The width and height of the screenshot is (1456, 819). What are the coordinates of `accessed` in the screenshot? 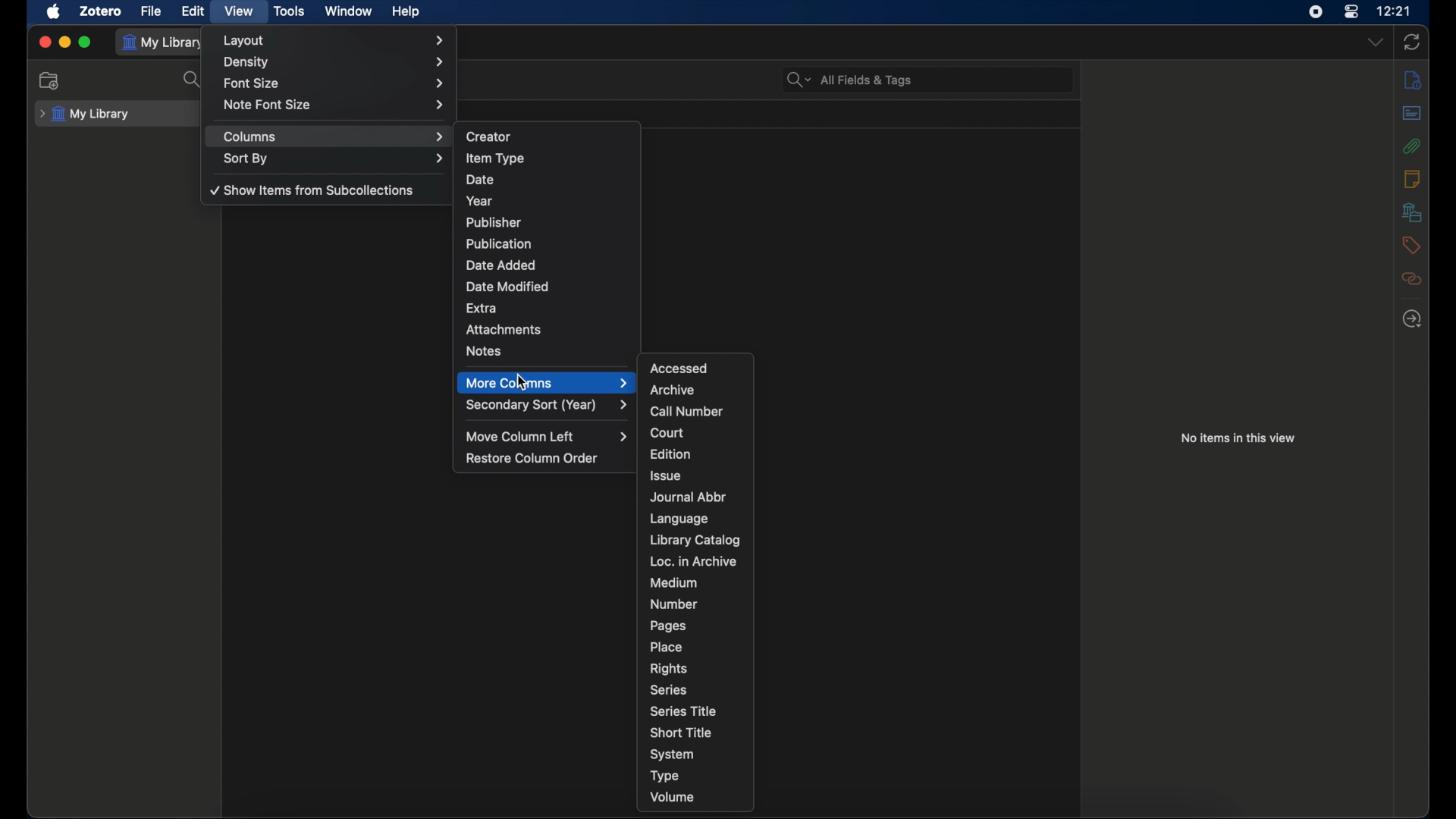 It's located at (681, 368).